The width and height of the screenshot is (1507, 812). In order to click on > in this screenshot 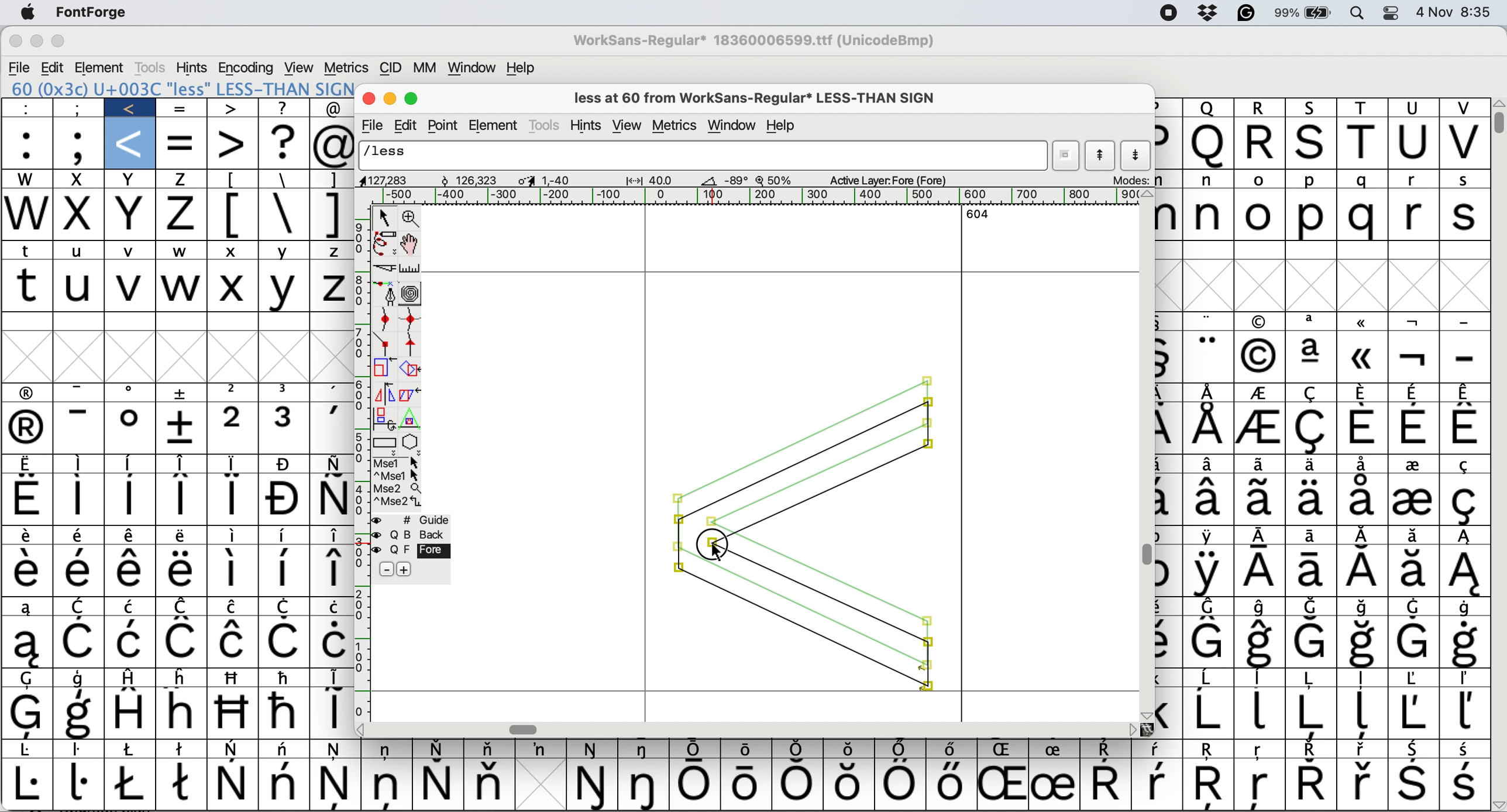, I will do `click(233, 144)`.